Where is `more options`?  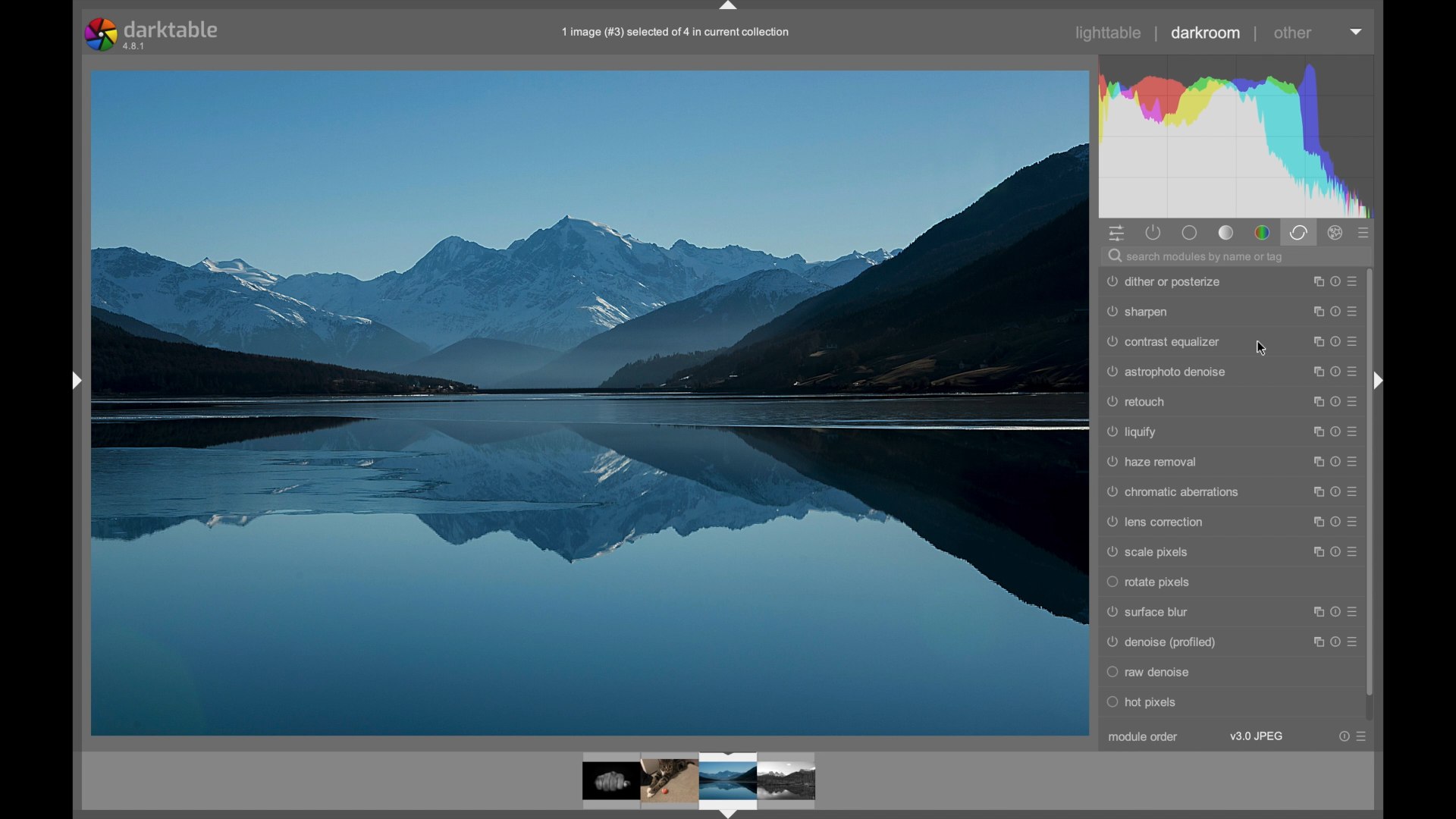
more options is located at coordinates (1333, 401).